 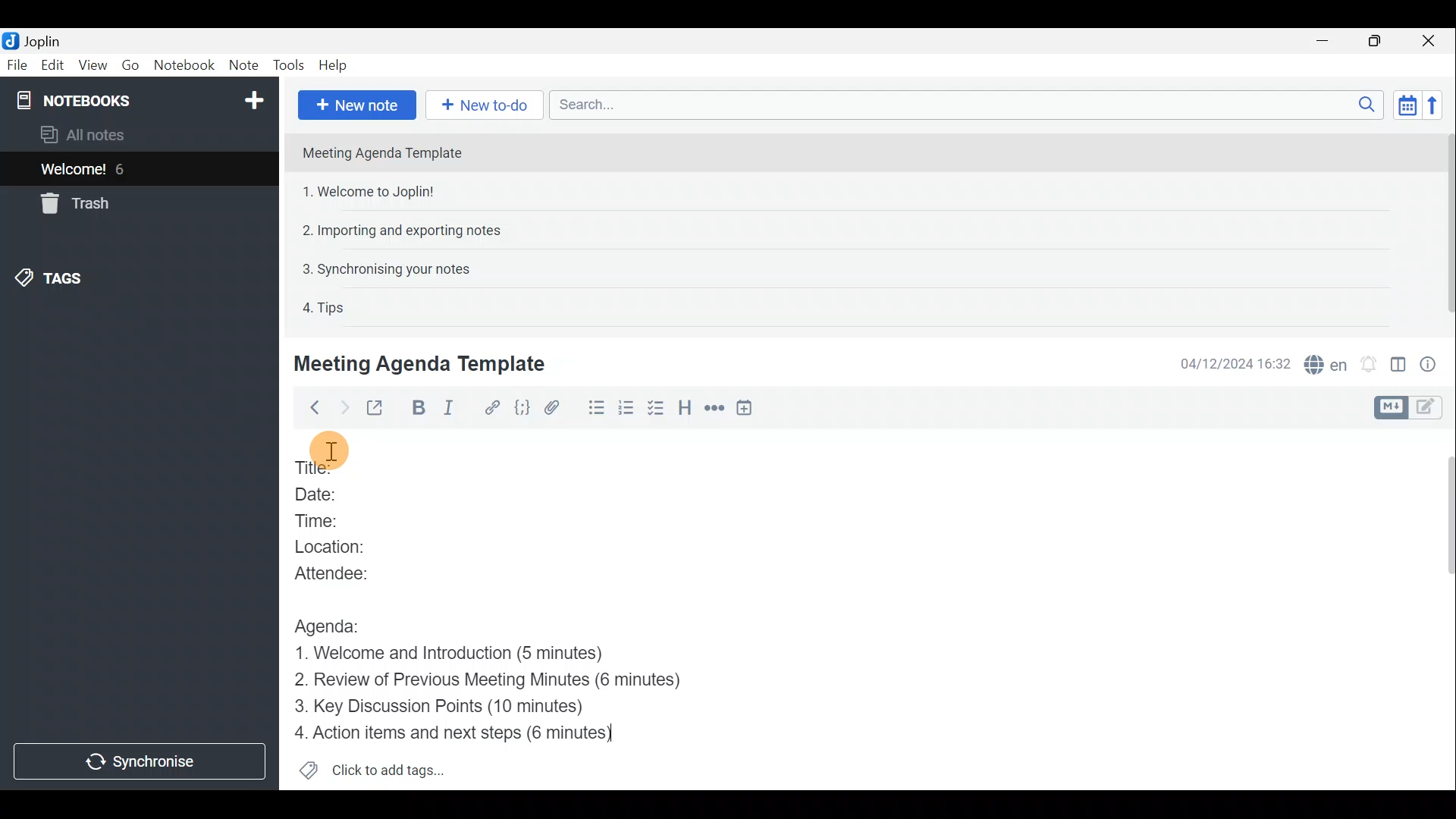 I want to click on Close, so click(x=1429, y=42).